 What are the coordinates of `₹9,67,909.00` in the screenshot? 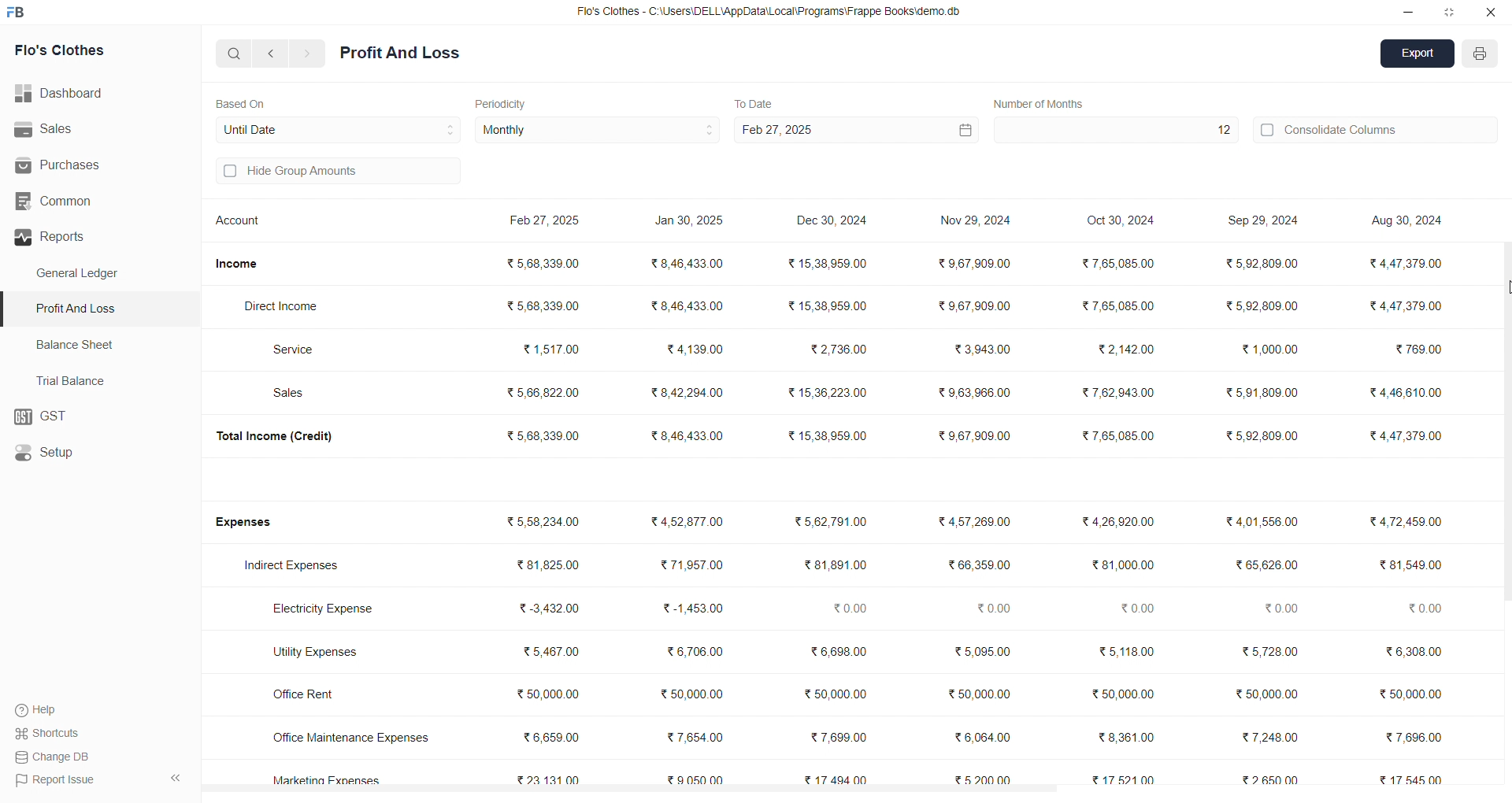 It's located at (976, 305).